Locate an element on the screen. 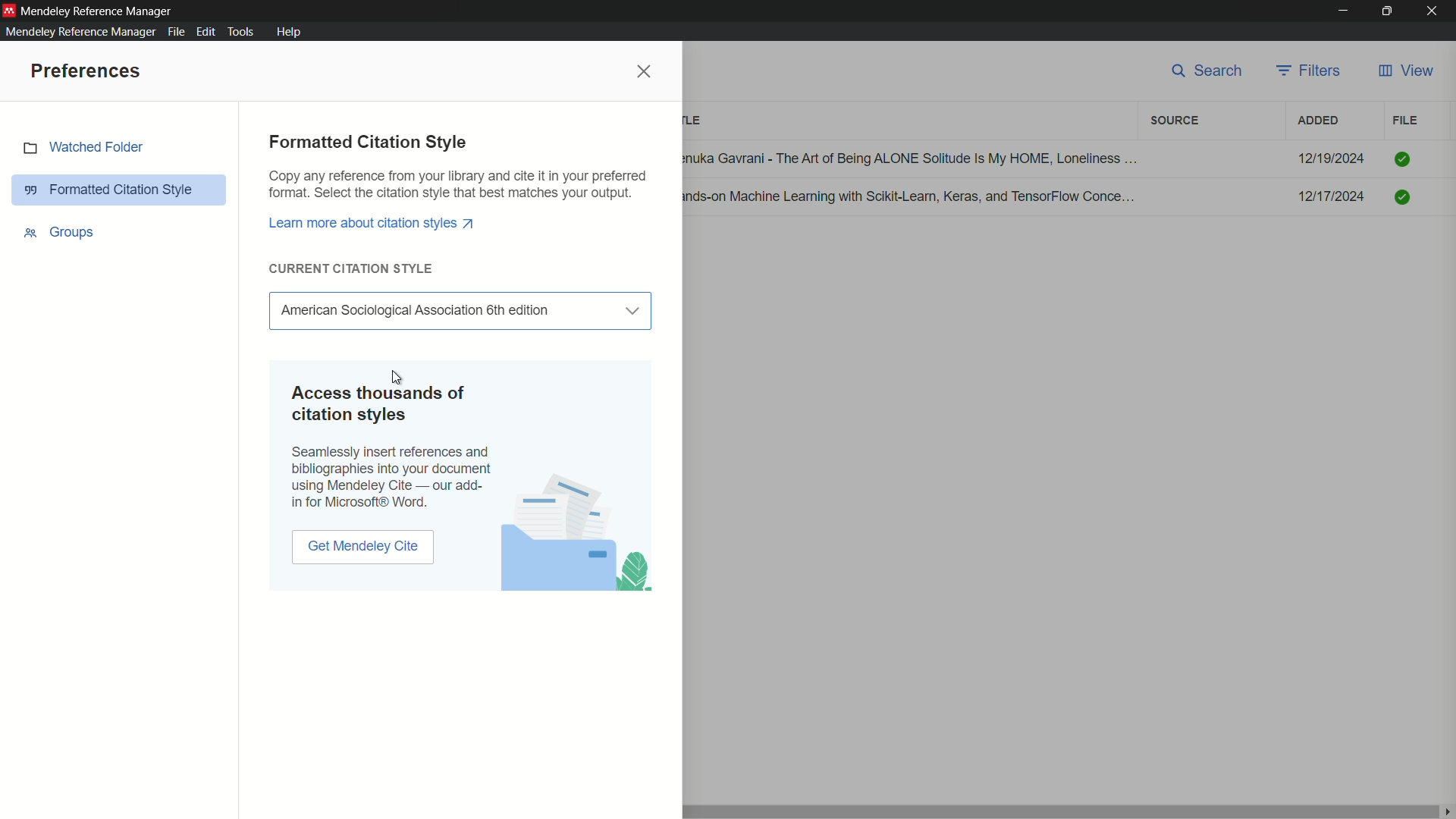 The height and width of the screenshot is (819, 1456). edit menu is located at coordinates (206, 32).